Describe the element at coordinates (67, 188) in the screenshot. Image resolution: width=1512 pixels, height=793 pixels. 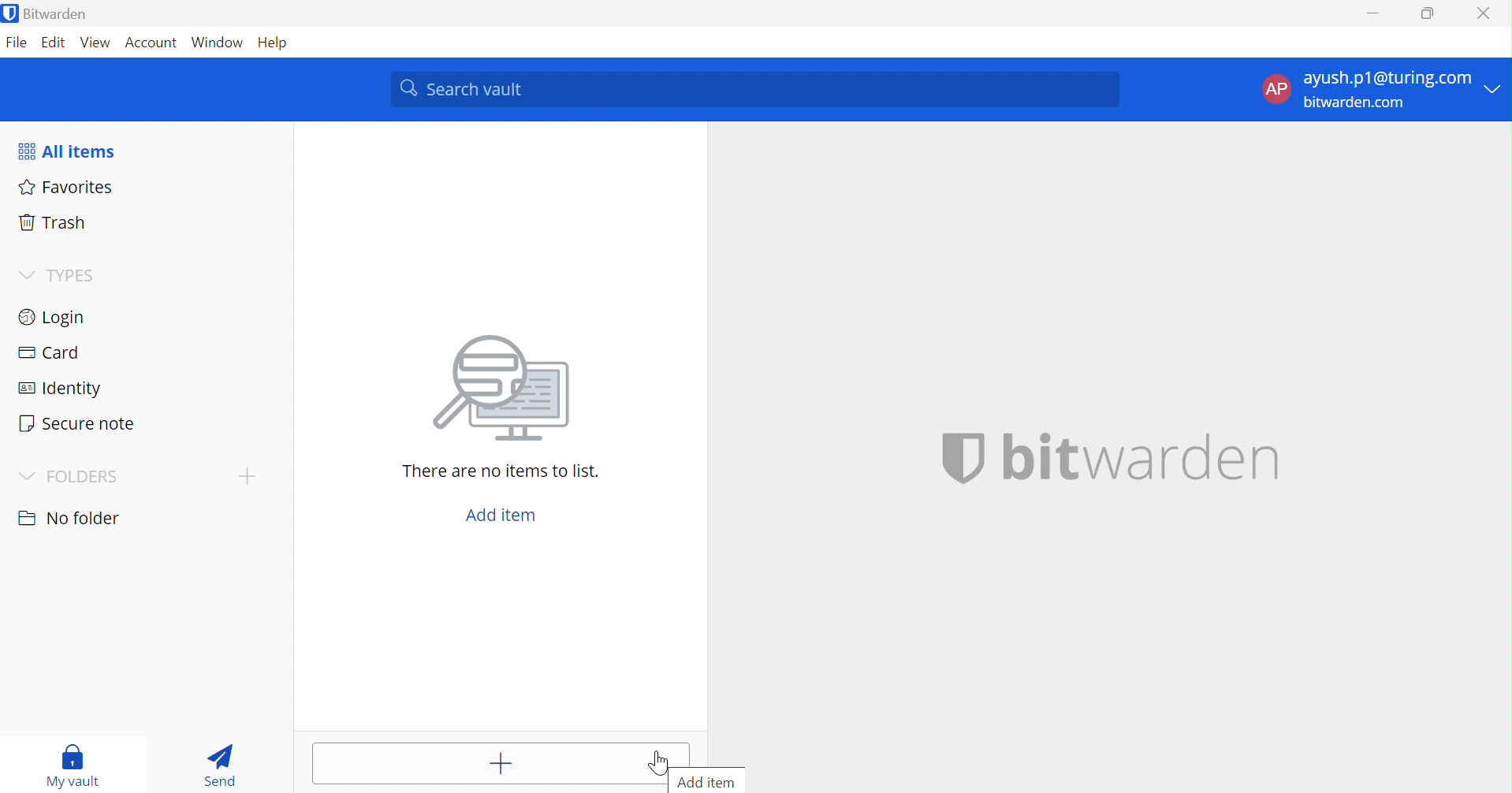
I see `Favorites` at that location.